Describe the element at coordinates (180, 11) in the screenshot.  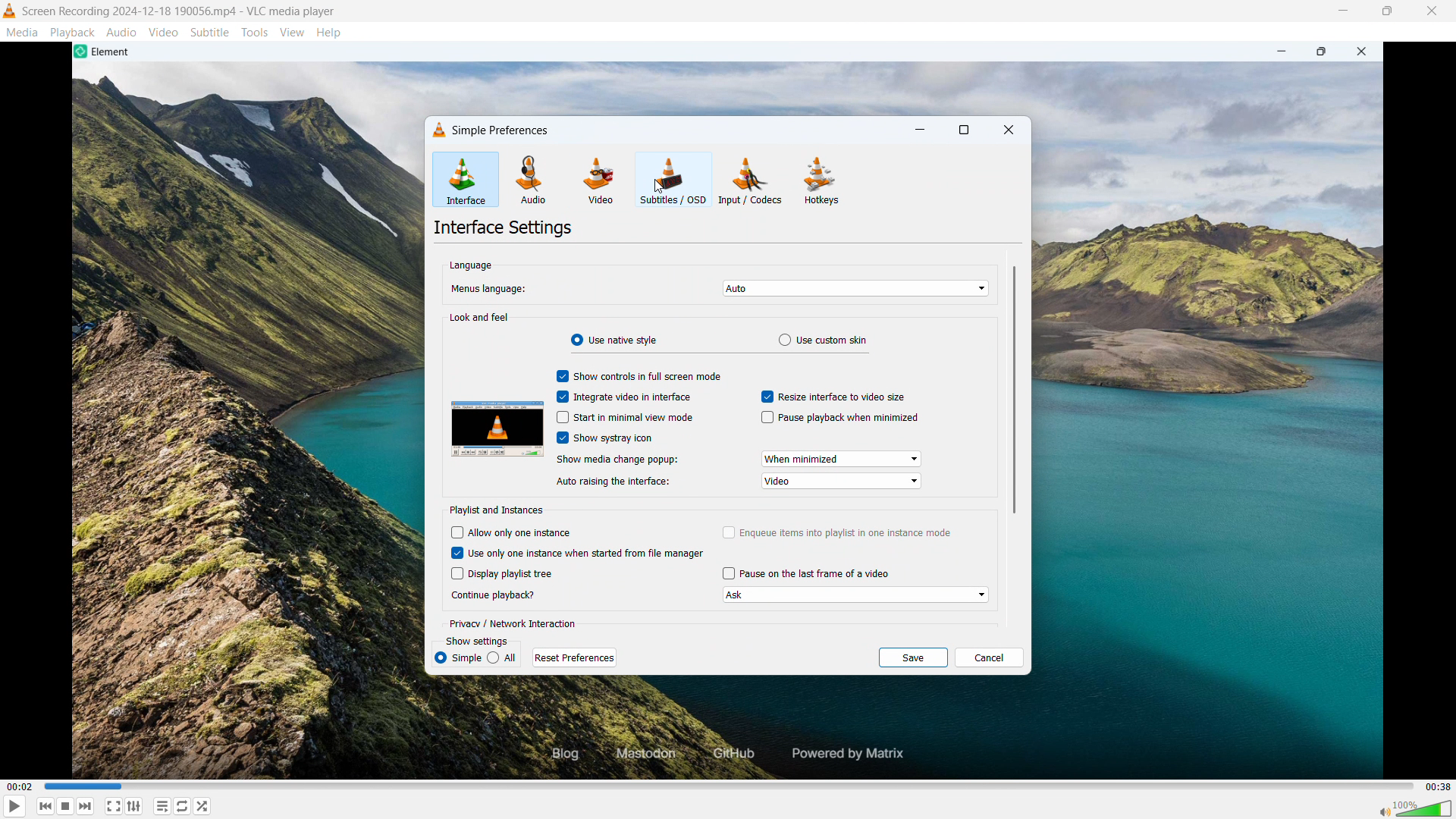
I see `File name ` at that location.